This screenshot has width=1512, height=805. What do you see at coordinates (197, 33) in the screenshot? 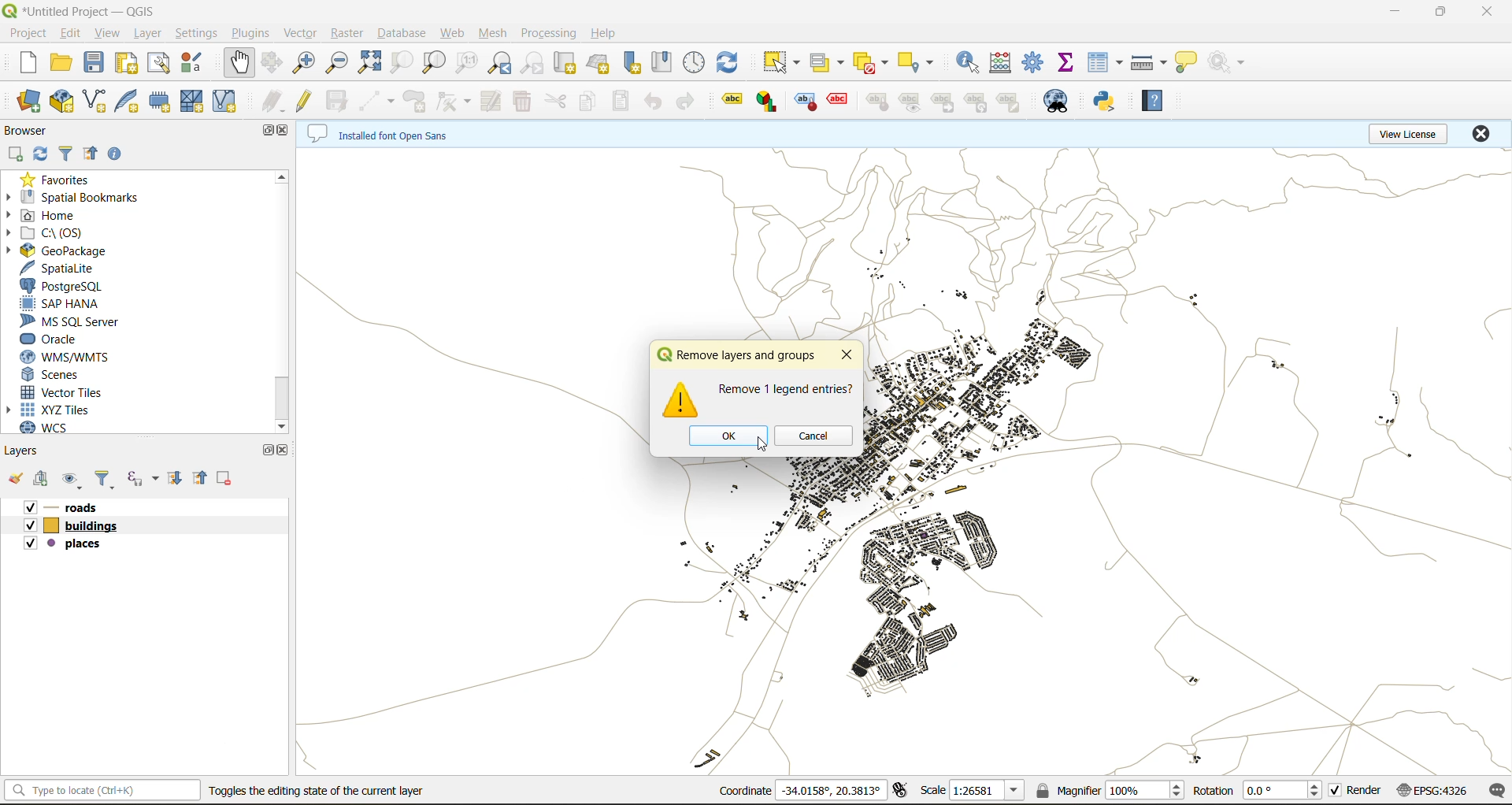
I see `settings` at bounding box center [197, 33].